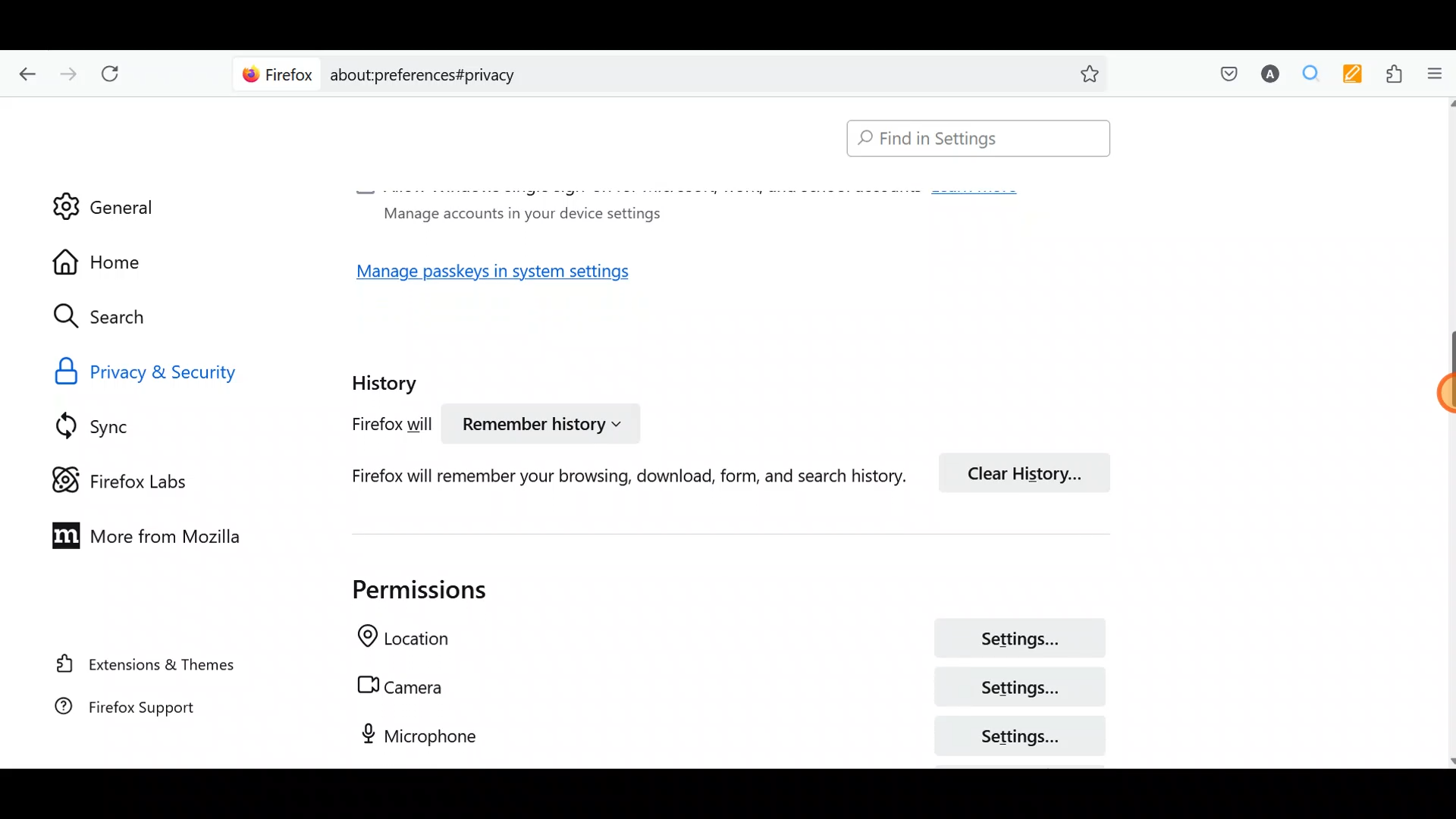 This screenshot has height=819, width=1456. What do you see at coordinates (675, 72) in the screenshot?
I see `Search bar` at bounding box center [675, 72].